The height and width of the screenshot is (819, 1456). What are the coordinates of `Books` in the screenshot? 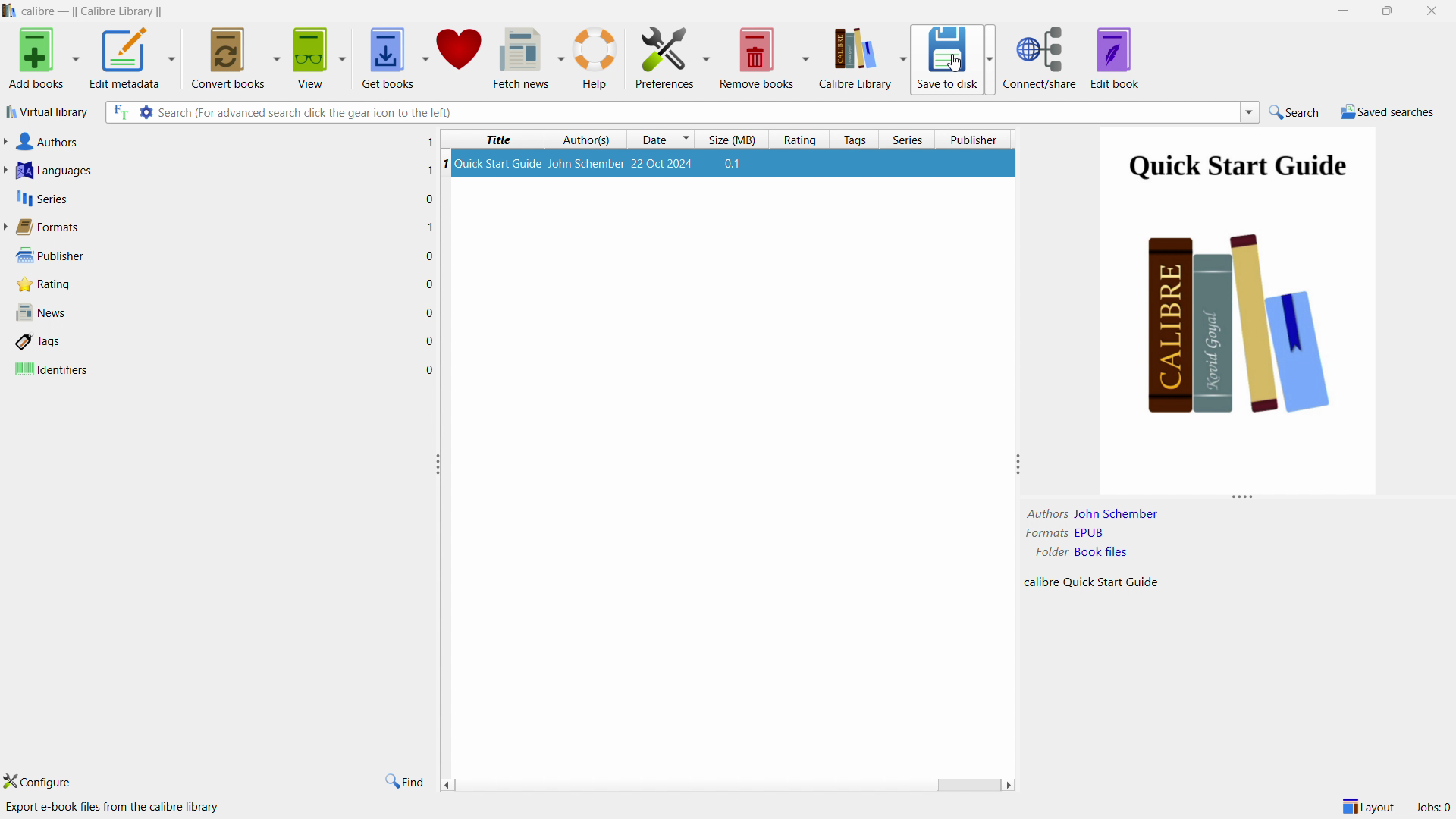 It's located at (1240, 331).